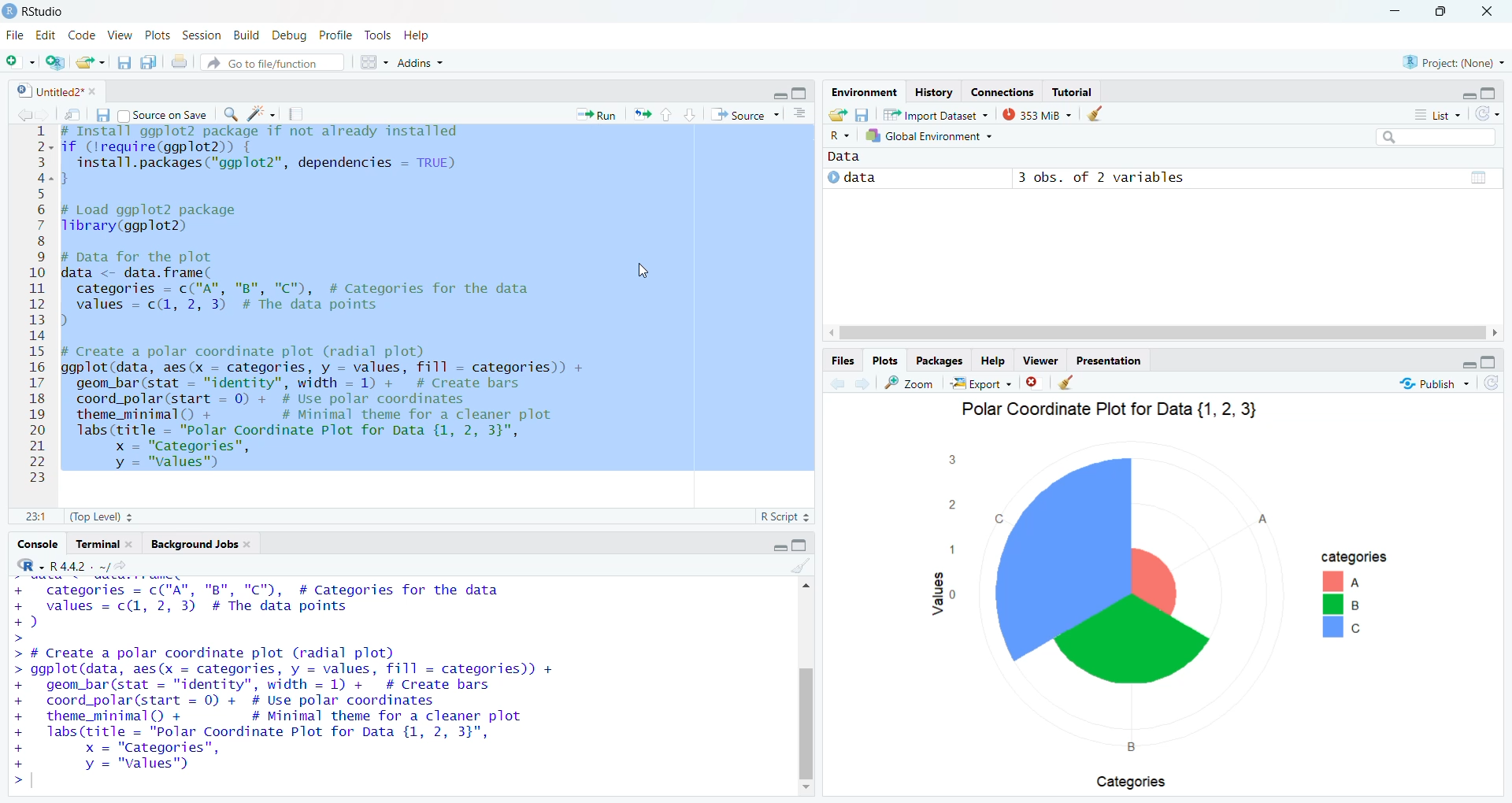 Image resolution: width=1512 pixels, height=803 pixels. What do you see at coordinates (934, 138) in the screenshot?
I see `Global Environment ~` at bounding box center [934, 138].